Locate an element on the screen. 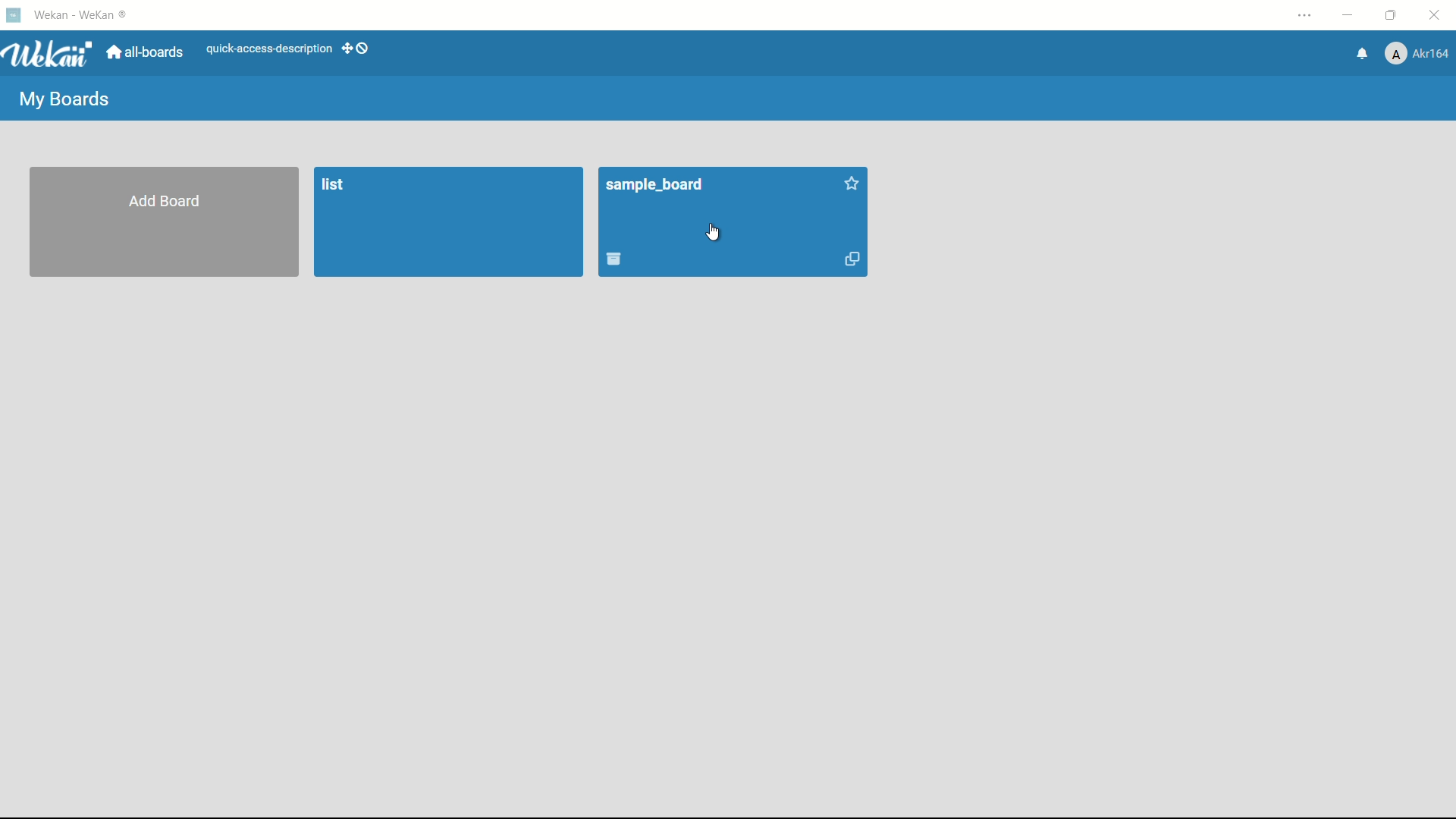  app name is located at coordinates (84, 14).